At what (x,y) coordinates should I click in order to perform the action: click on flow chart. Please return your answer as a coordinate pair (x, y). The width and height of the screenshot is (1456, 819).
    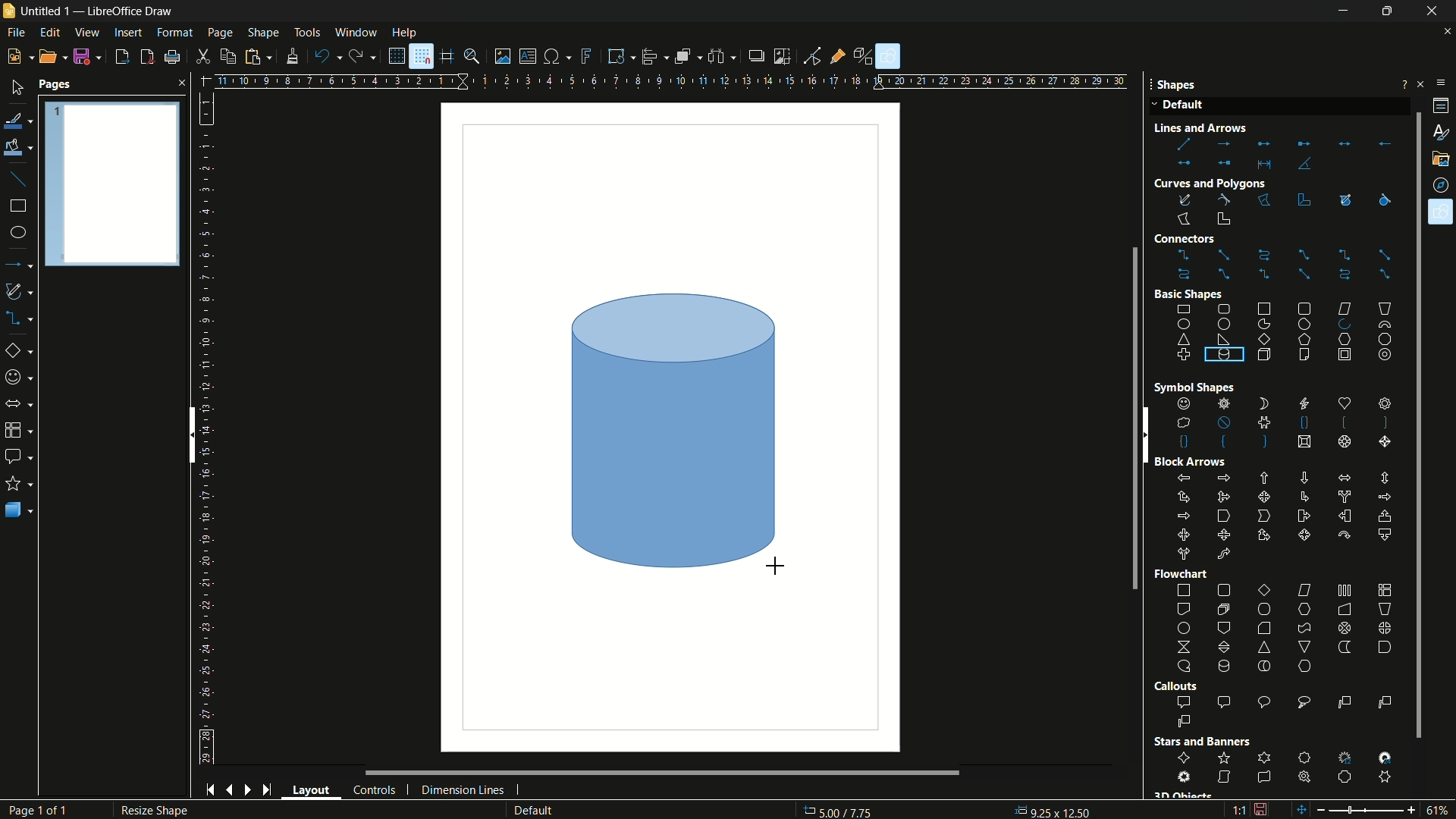
    Looking at the image, I should click on (22, 430).